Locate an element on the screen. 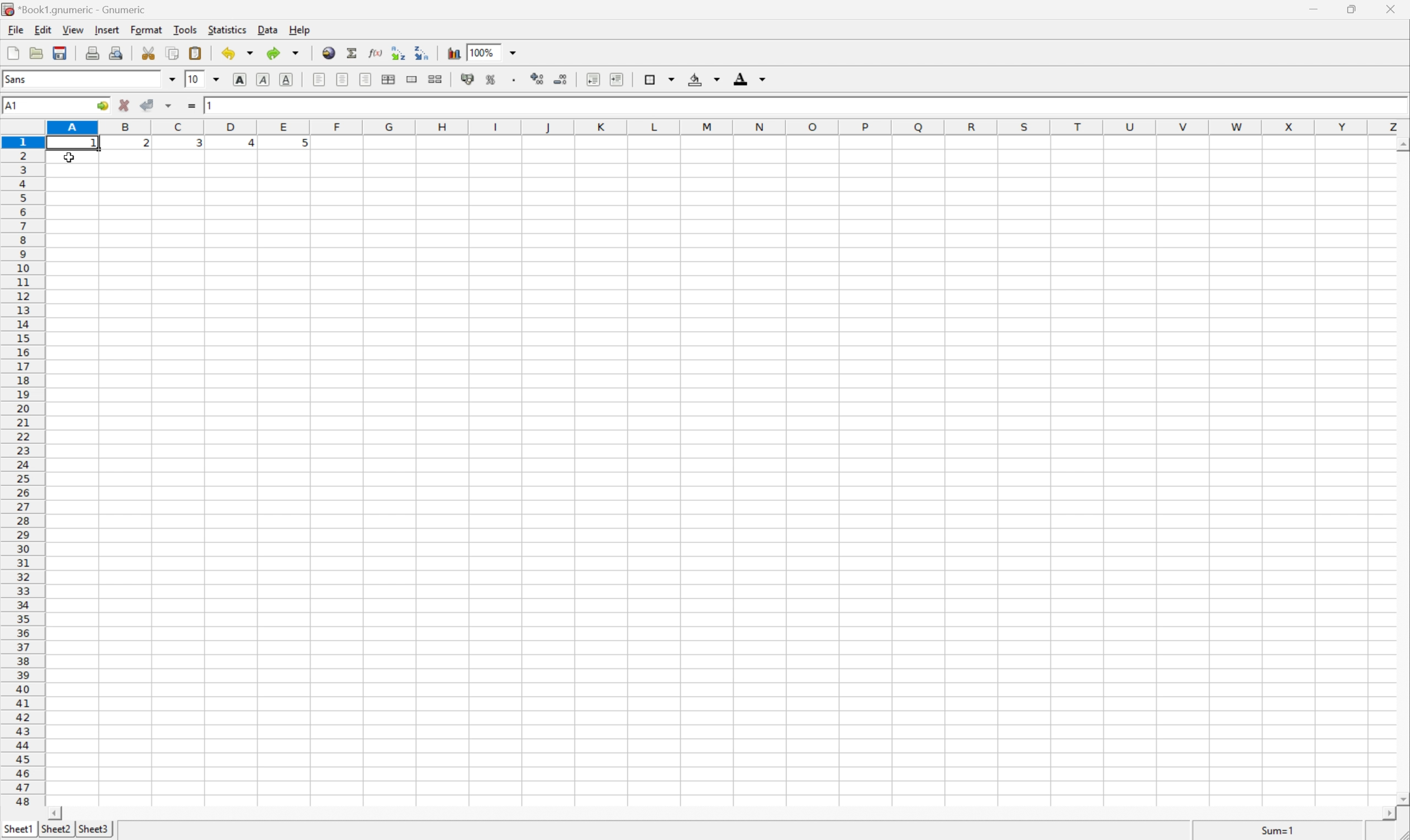 Image resolution: width=1410 pixels, height=840 pixels. help is located at coordinates (297, 29).